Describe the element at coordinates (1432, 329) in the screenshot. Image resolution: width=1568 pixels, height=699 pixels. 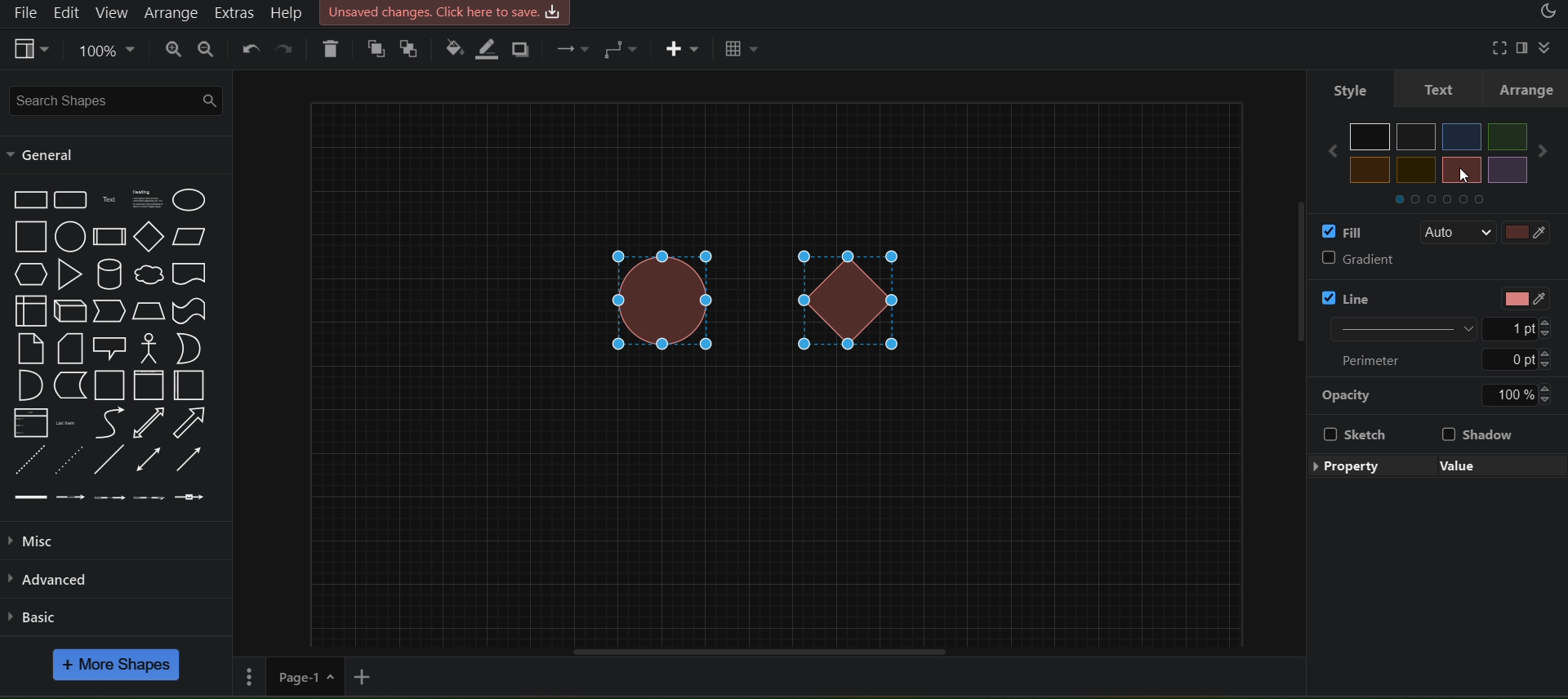
I see `Line width` at that location.